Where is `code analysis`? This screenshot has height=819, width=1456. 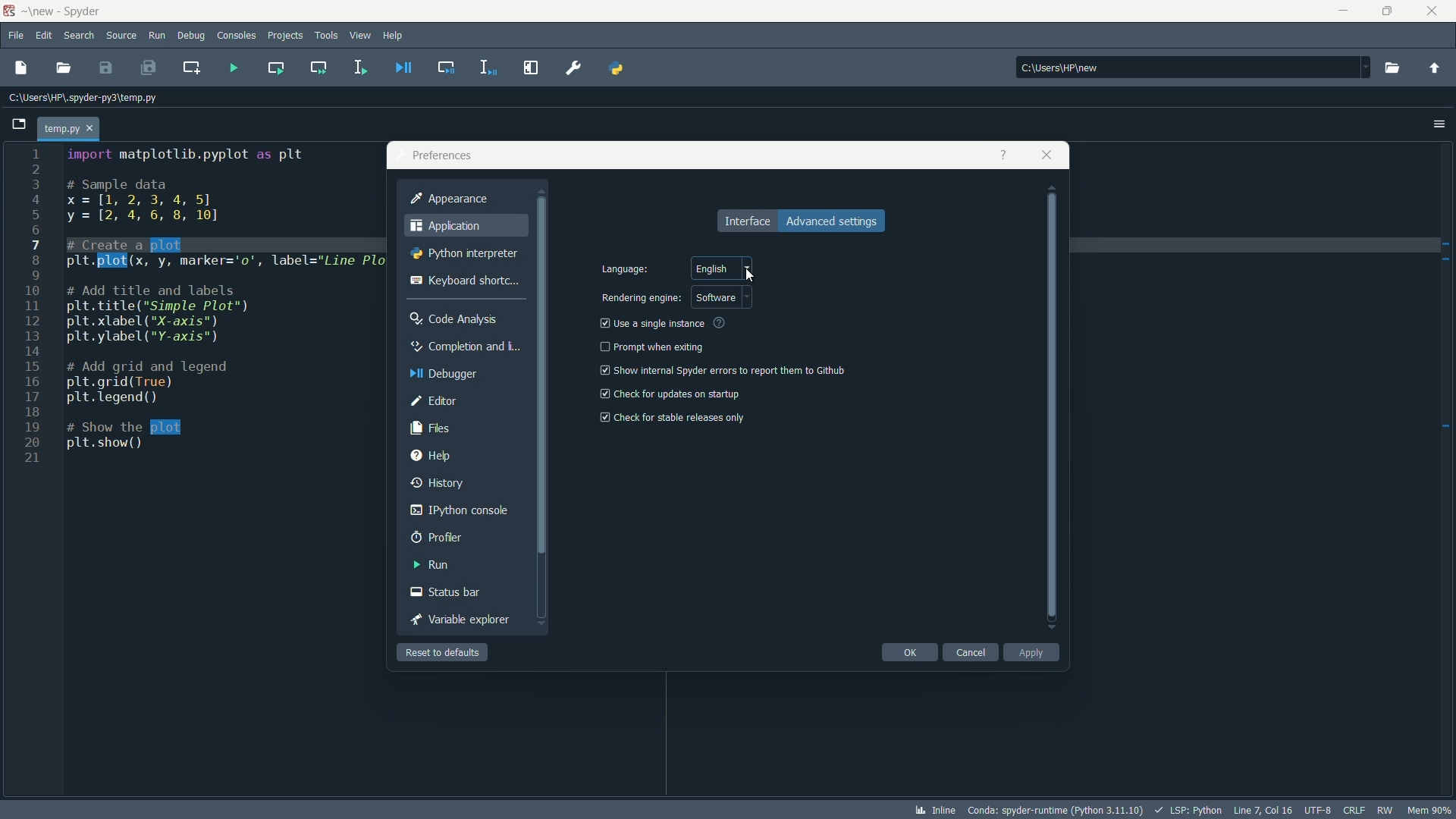
code analysis is located at coordinates (456, 320).